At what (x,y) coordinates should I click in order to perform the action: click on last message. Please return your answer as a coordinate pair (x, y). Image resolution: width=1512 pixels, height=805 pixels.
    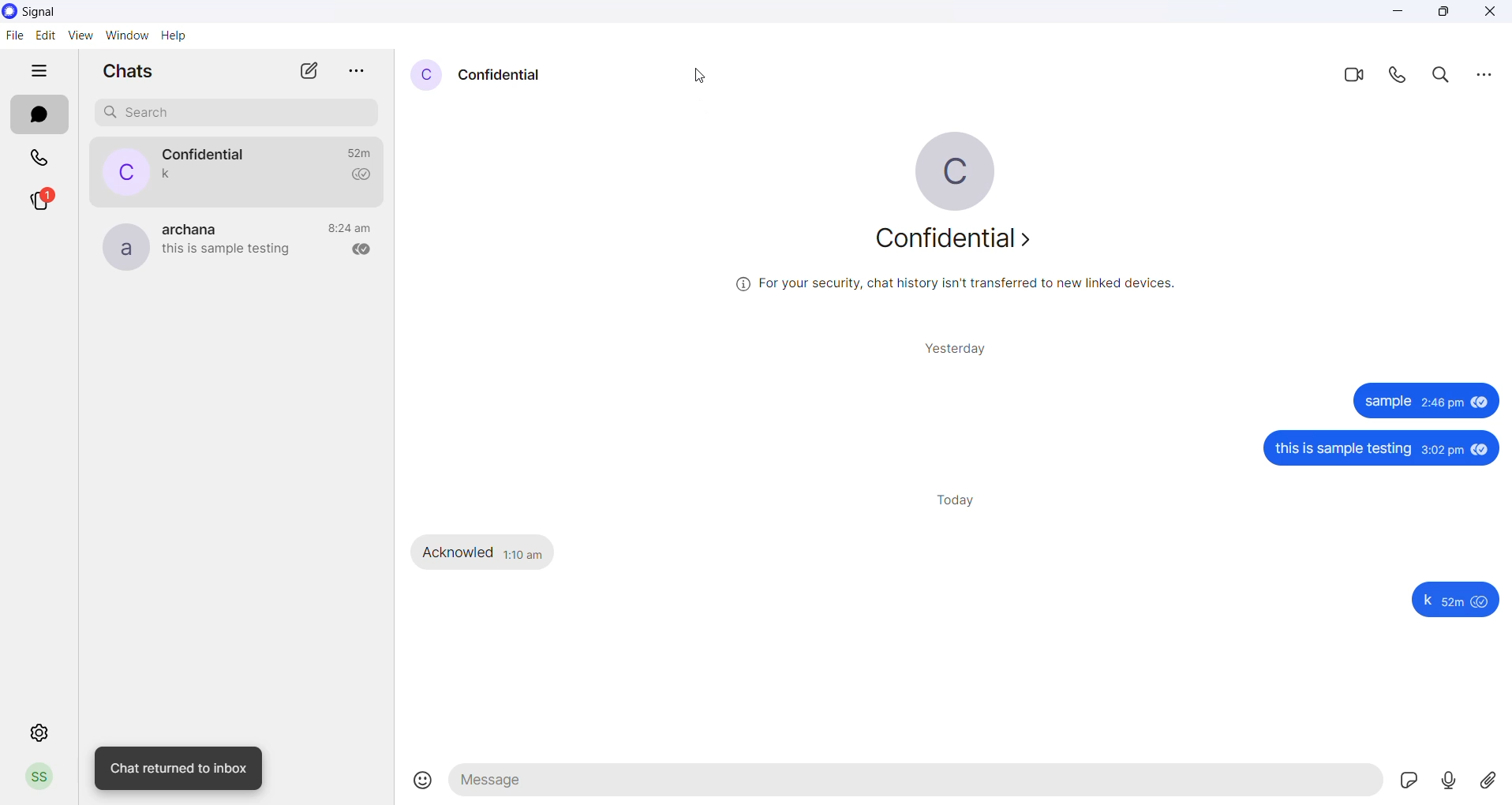
    Looking at the image, I should click on (174, 174).